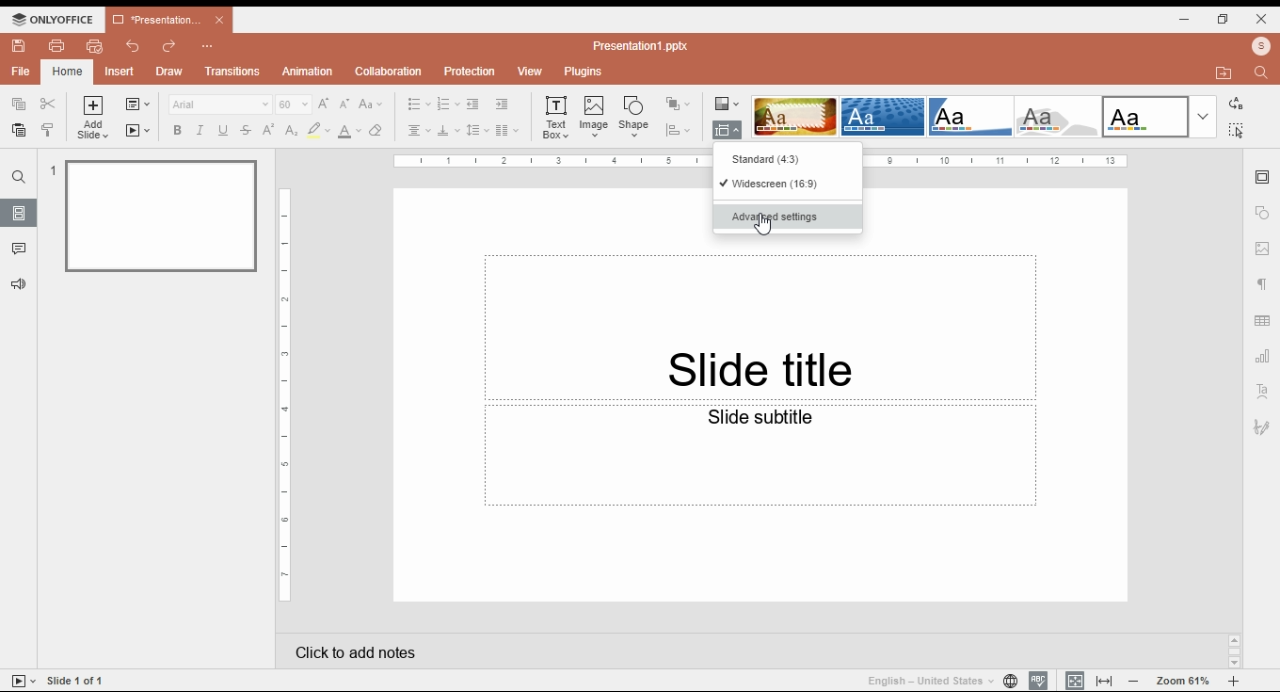  What do you see at coordinates (1075, 680) in the screenshot?
I see `fit to slide` at bounding box center [1075, 680].